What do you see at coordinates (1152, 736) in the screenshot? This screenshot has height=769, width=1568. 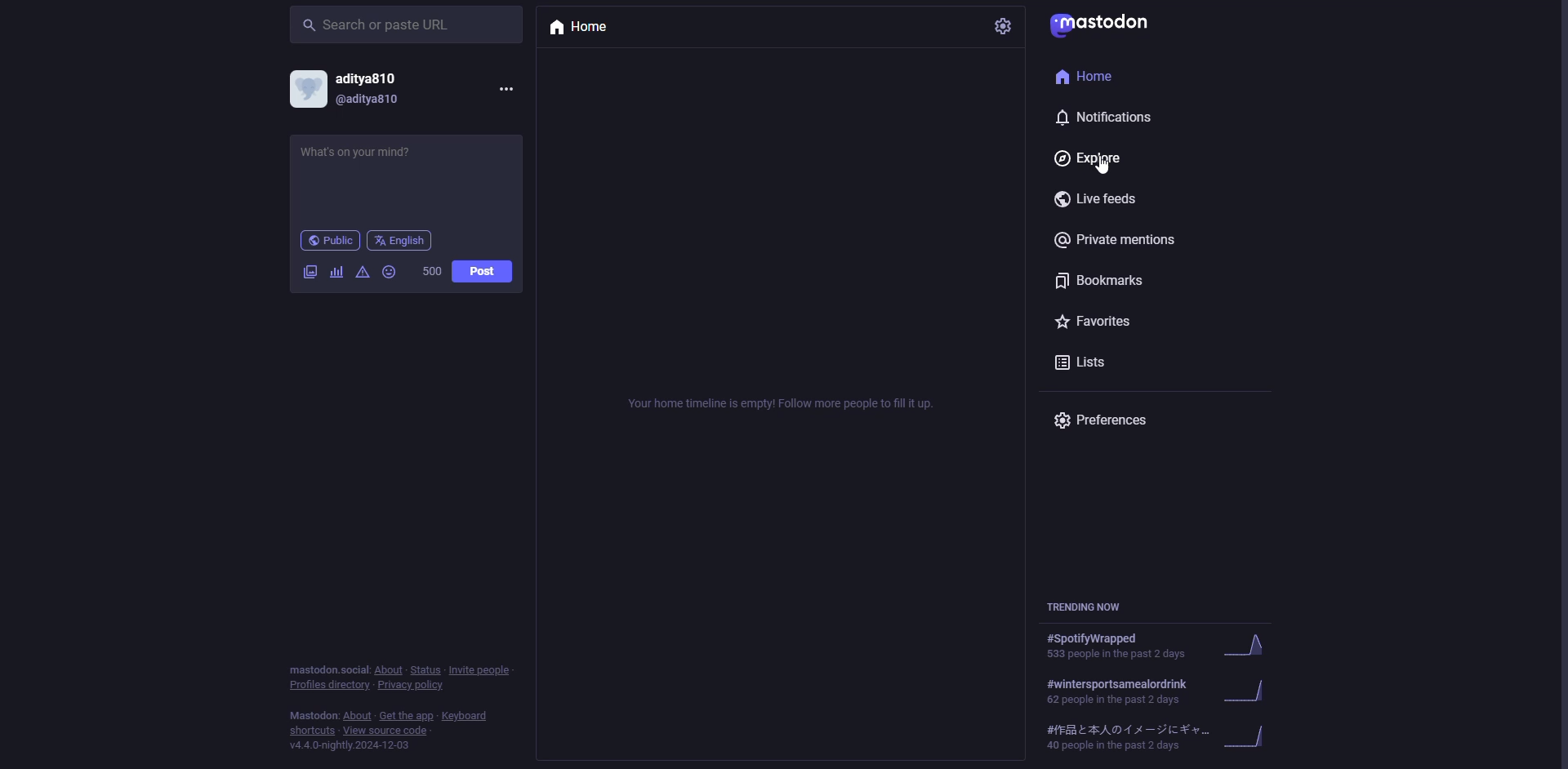 I see `trending ` at bounding box center [1152, 736].